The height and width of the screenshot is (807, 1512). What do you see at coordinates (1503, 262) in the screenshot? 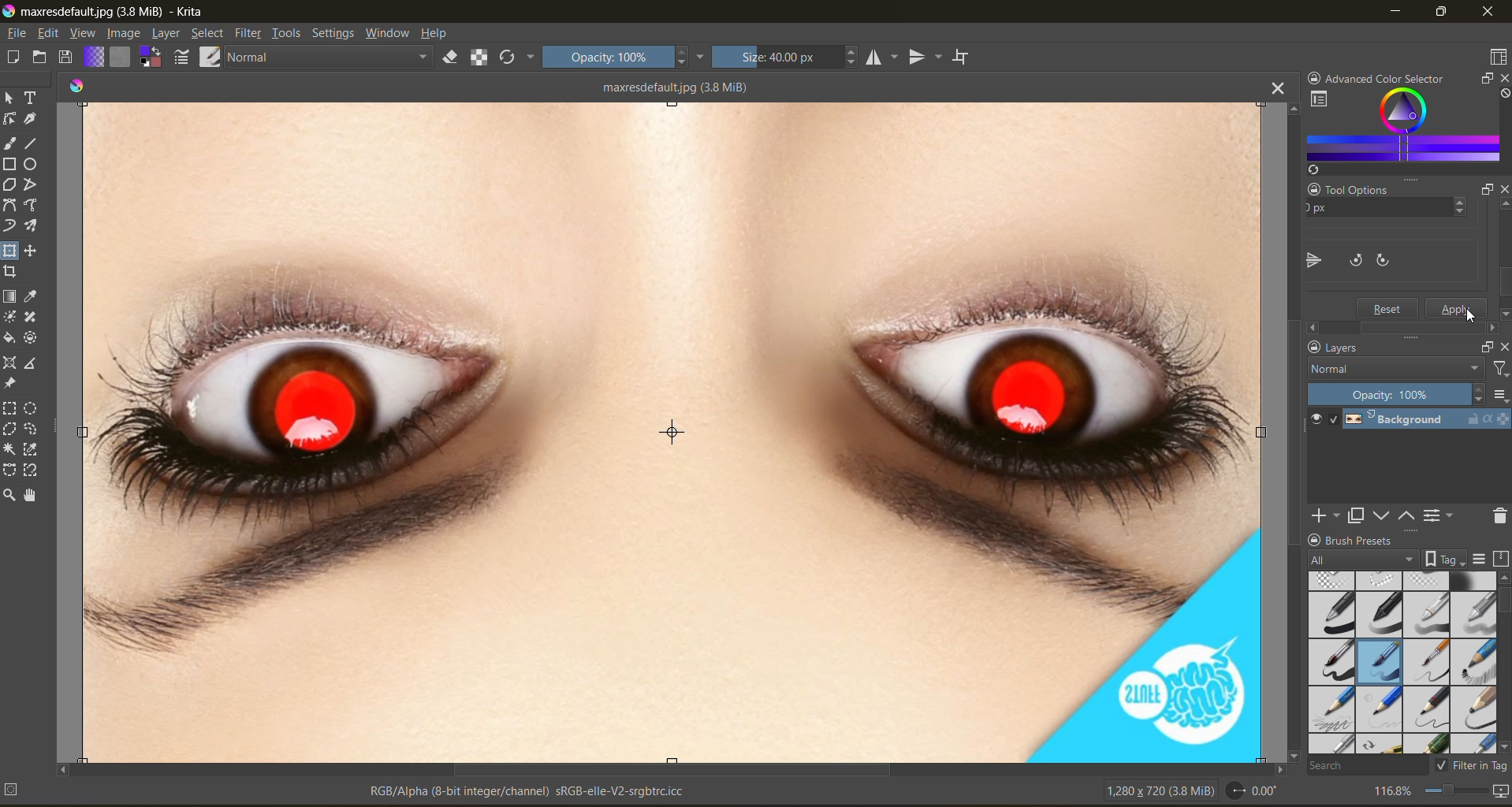
I see `vertical scroll bar` at bounding box center [1503, 262].